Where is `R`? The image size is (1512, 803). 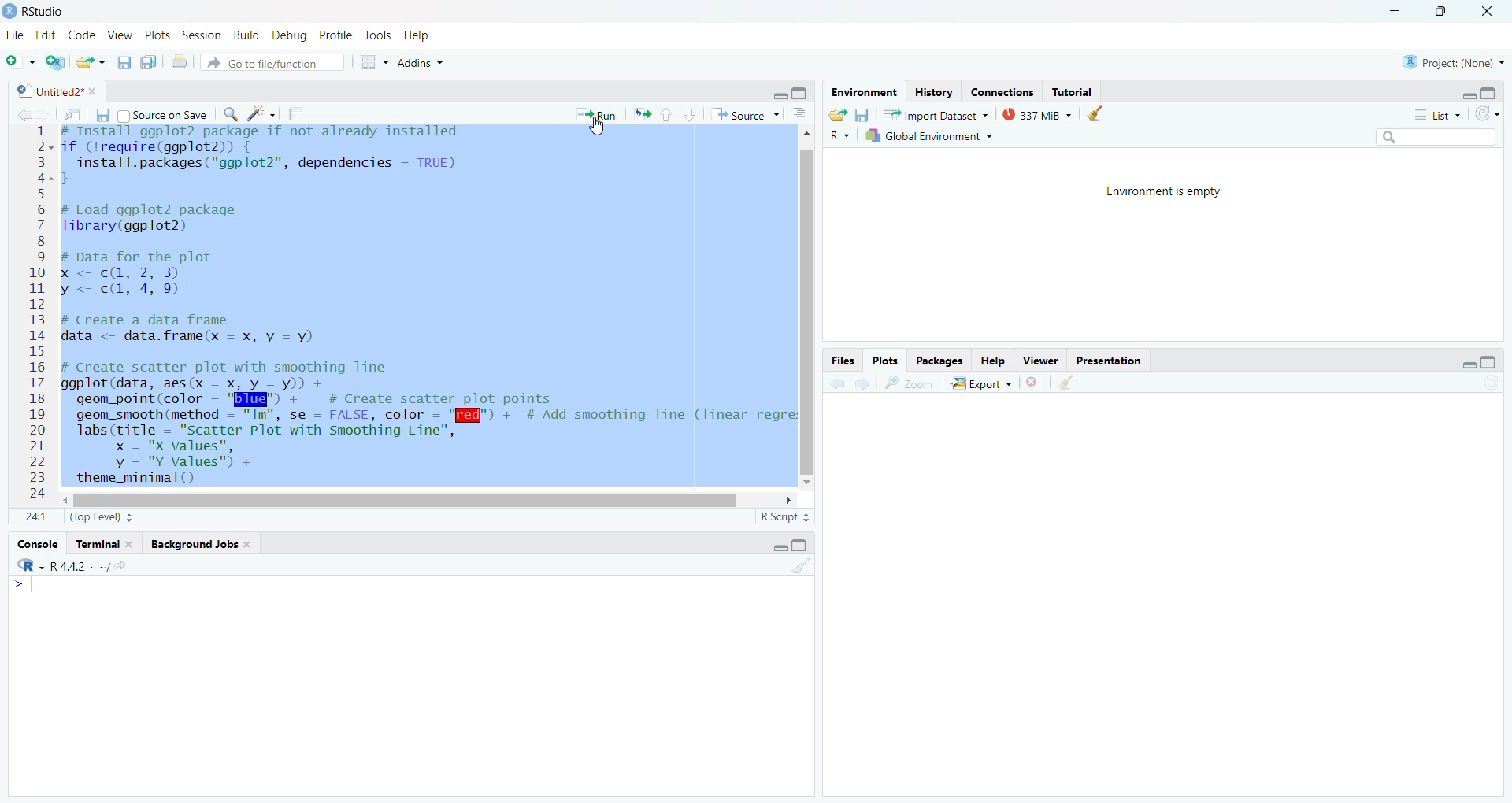 R is located at coordinates (837, 135).